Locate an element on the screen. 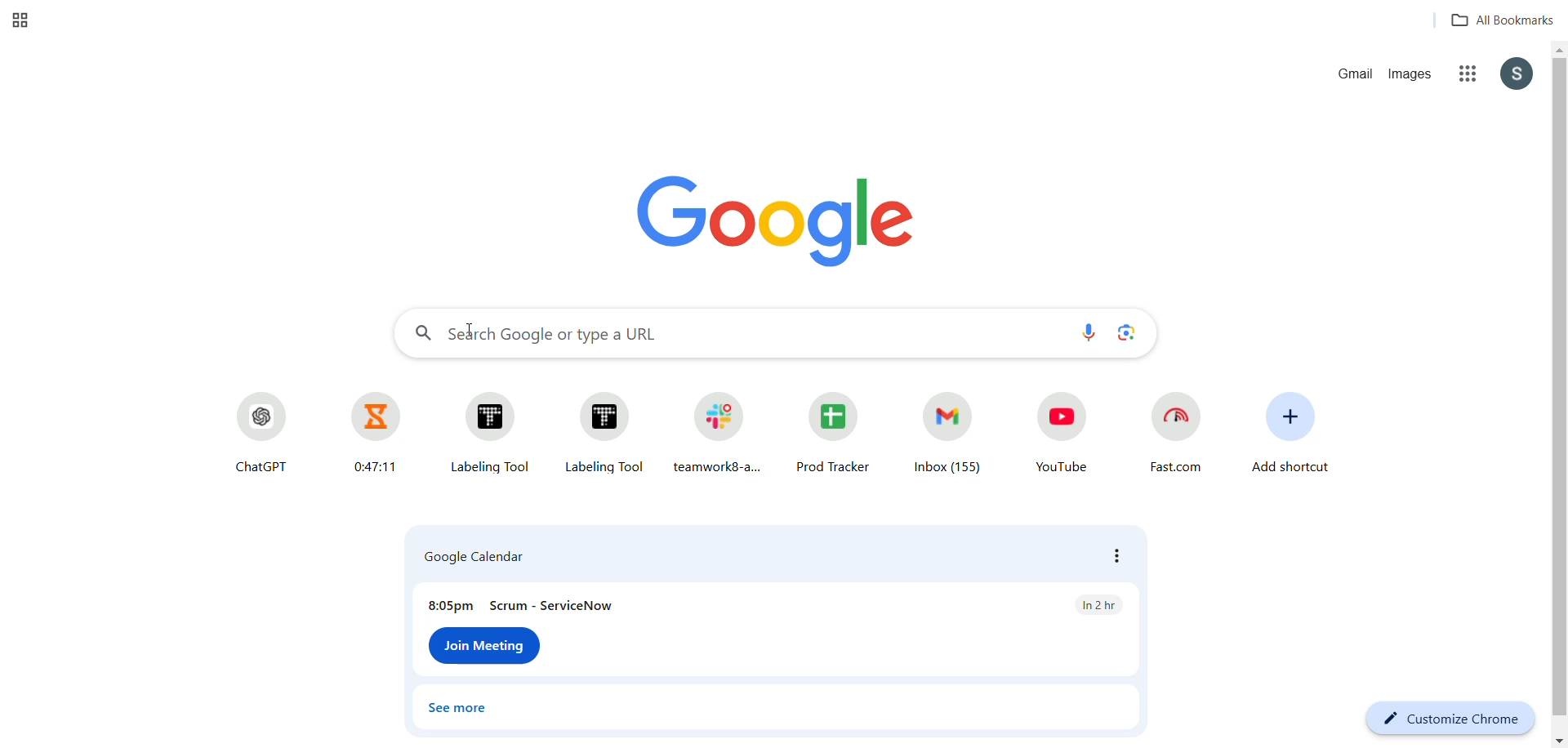 The height and width of the screenshot is (748, 1568). google calendar is located at coordinates (773, 556).